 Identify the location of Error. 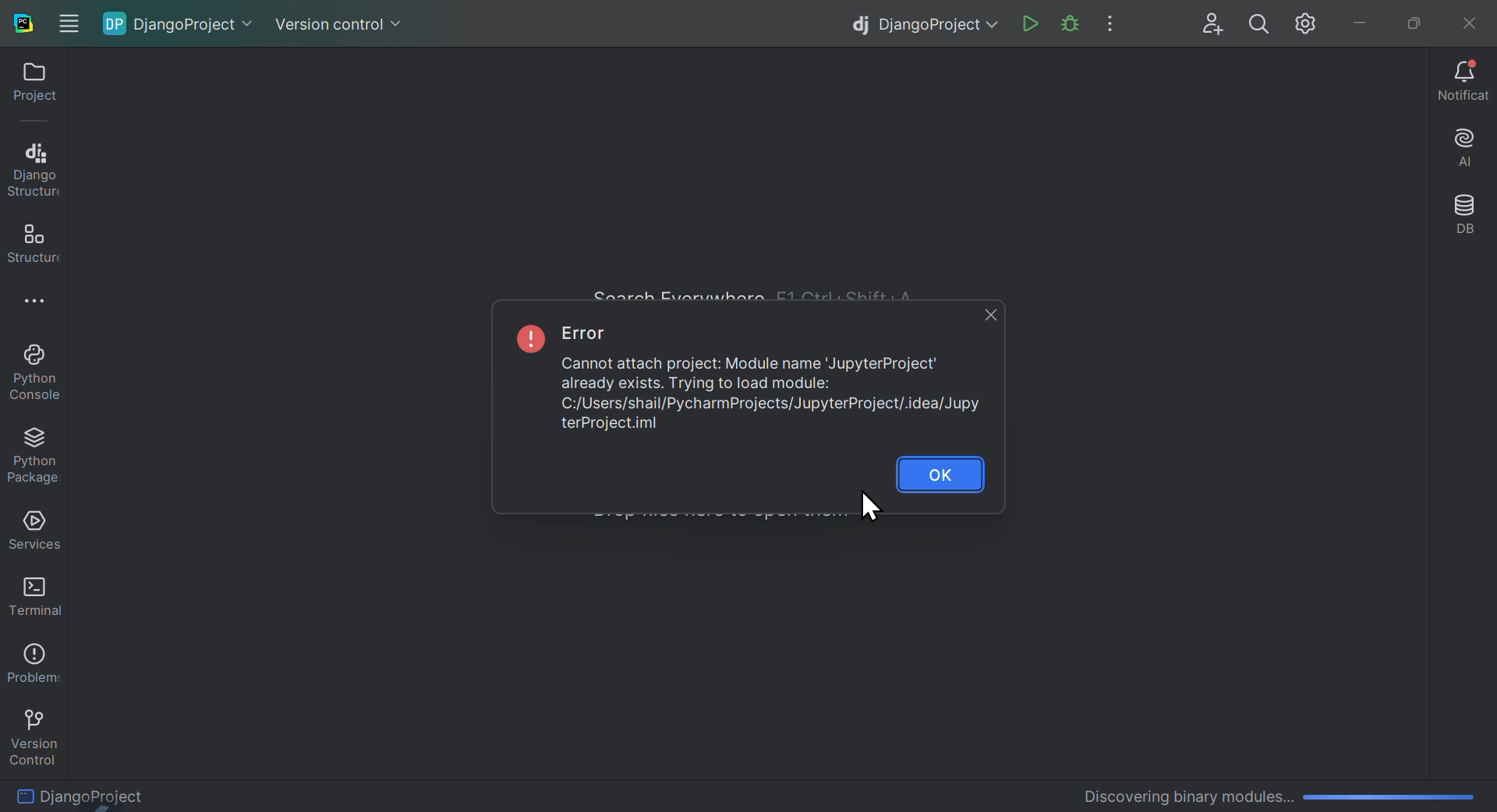
(747, 373).